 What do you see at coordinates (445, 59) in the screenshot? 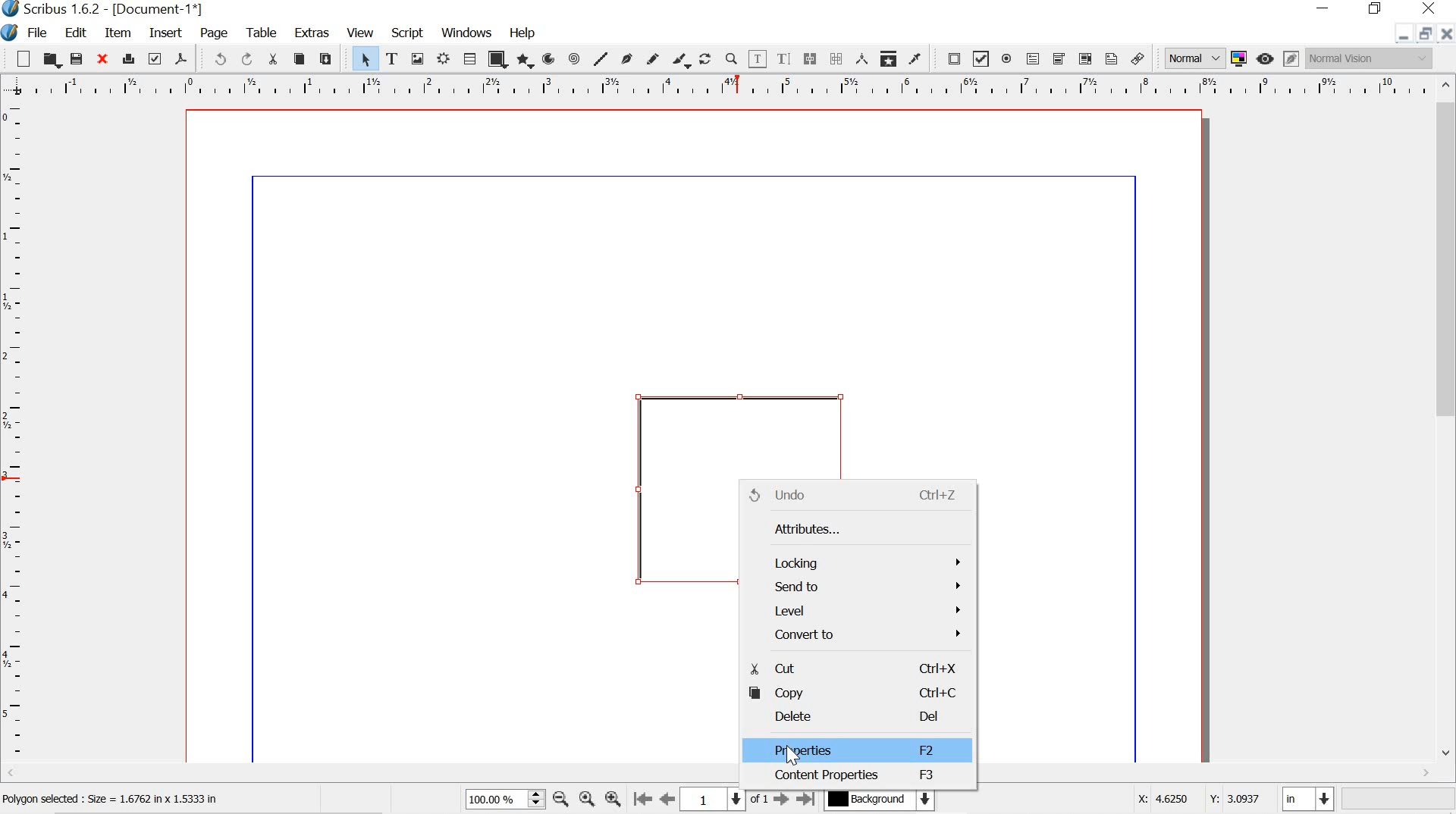
I see `render frame` at bounding box center [445, 59].